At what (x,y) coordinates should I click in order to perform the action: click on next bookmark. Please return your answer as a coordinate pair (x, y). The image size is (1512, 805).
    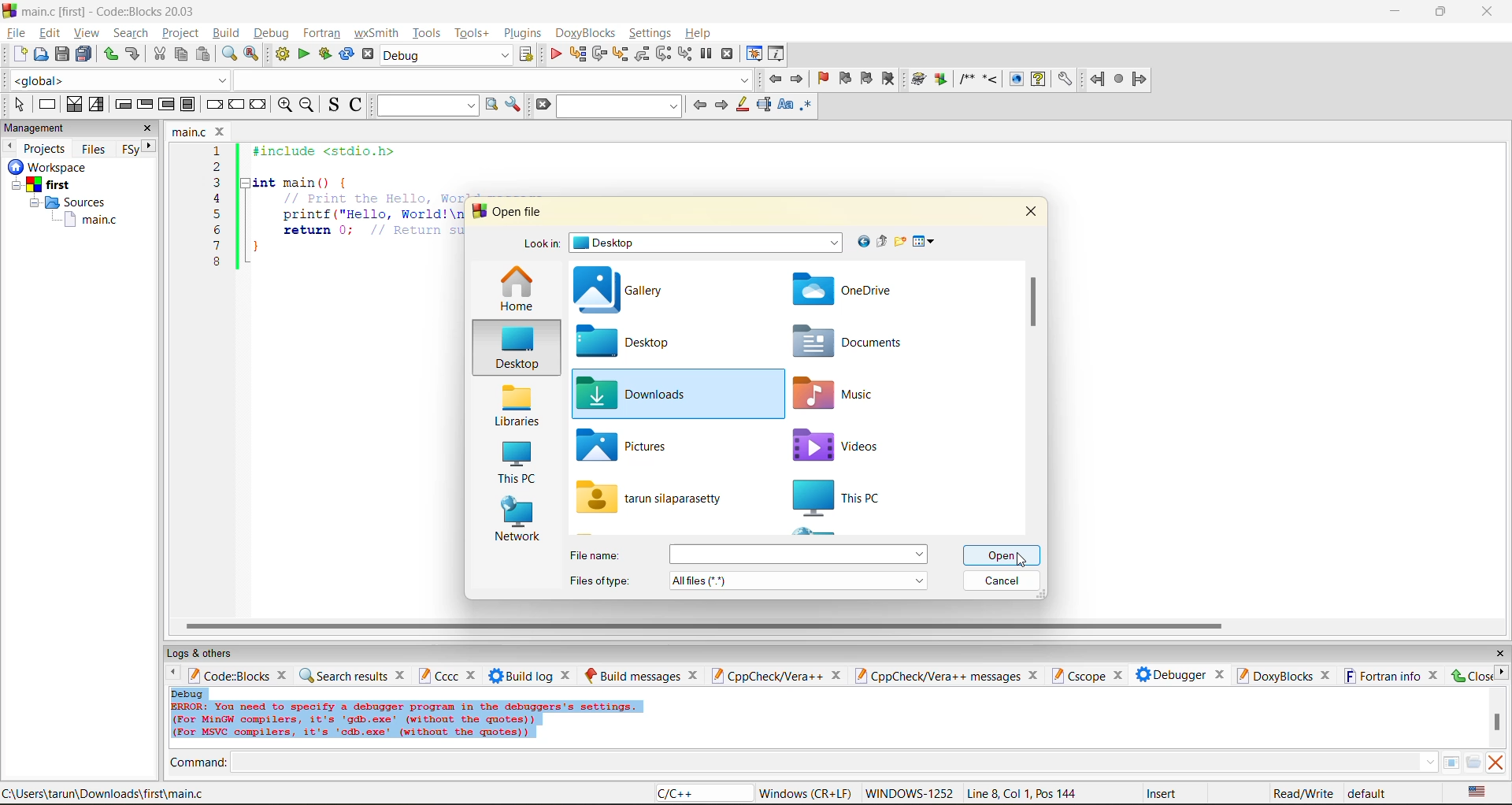
    Looking at the image, I should click on (868, 76).